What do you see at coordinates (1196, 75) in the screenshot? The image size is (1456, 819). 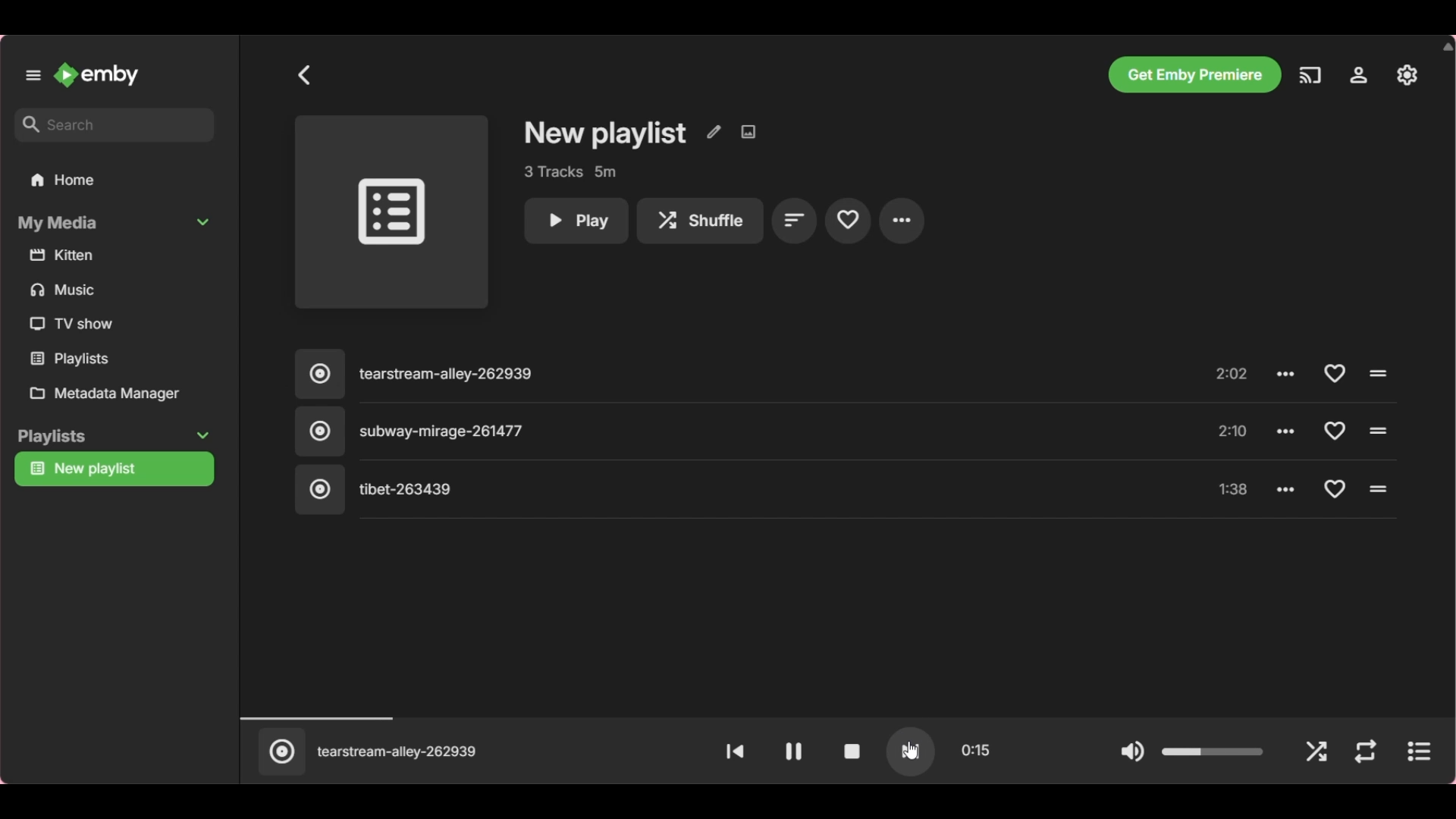 I see `Get Emby premiere` at bounding box center [1196, 75].